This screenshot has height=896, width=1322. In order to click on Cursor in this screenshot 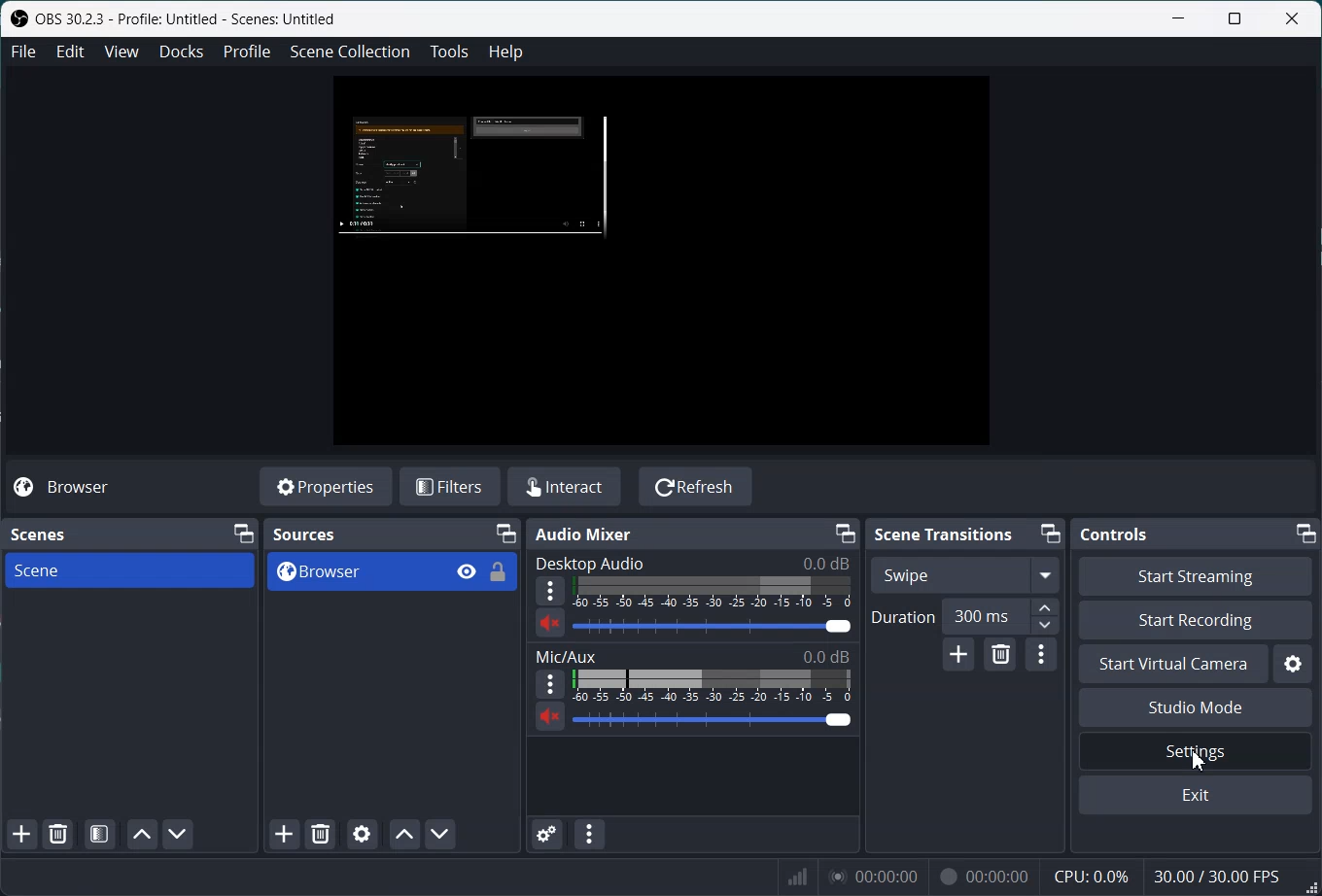, I will do `click(1200, 764)`.